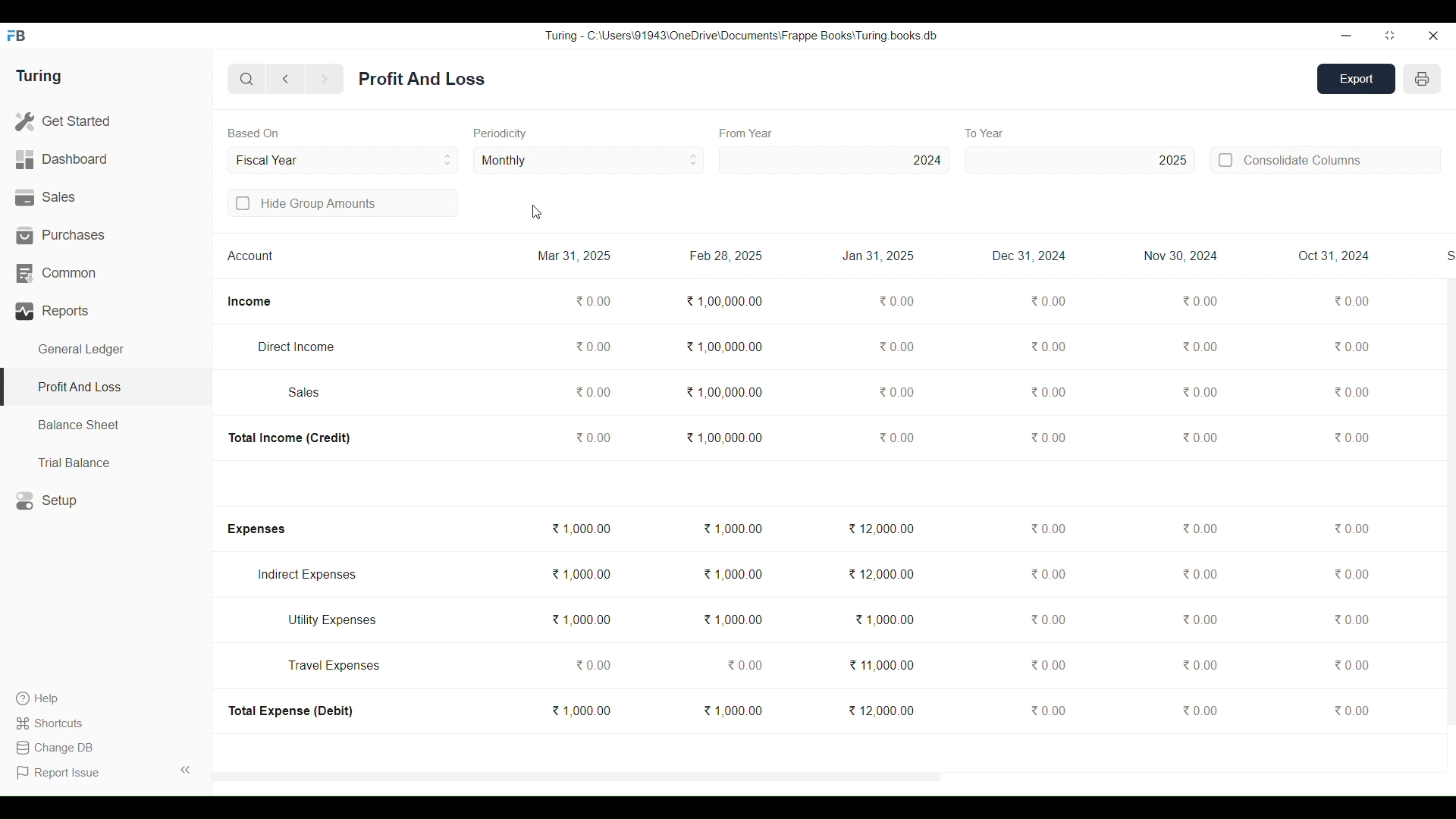 The width and height of the screenshot is (1456, 819). I want to click on 1,000.00, so click(581, 710).